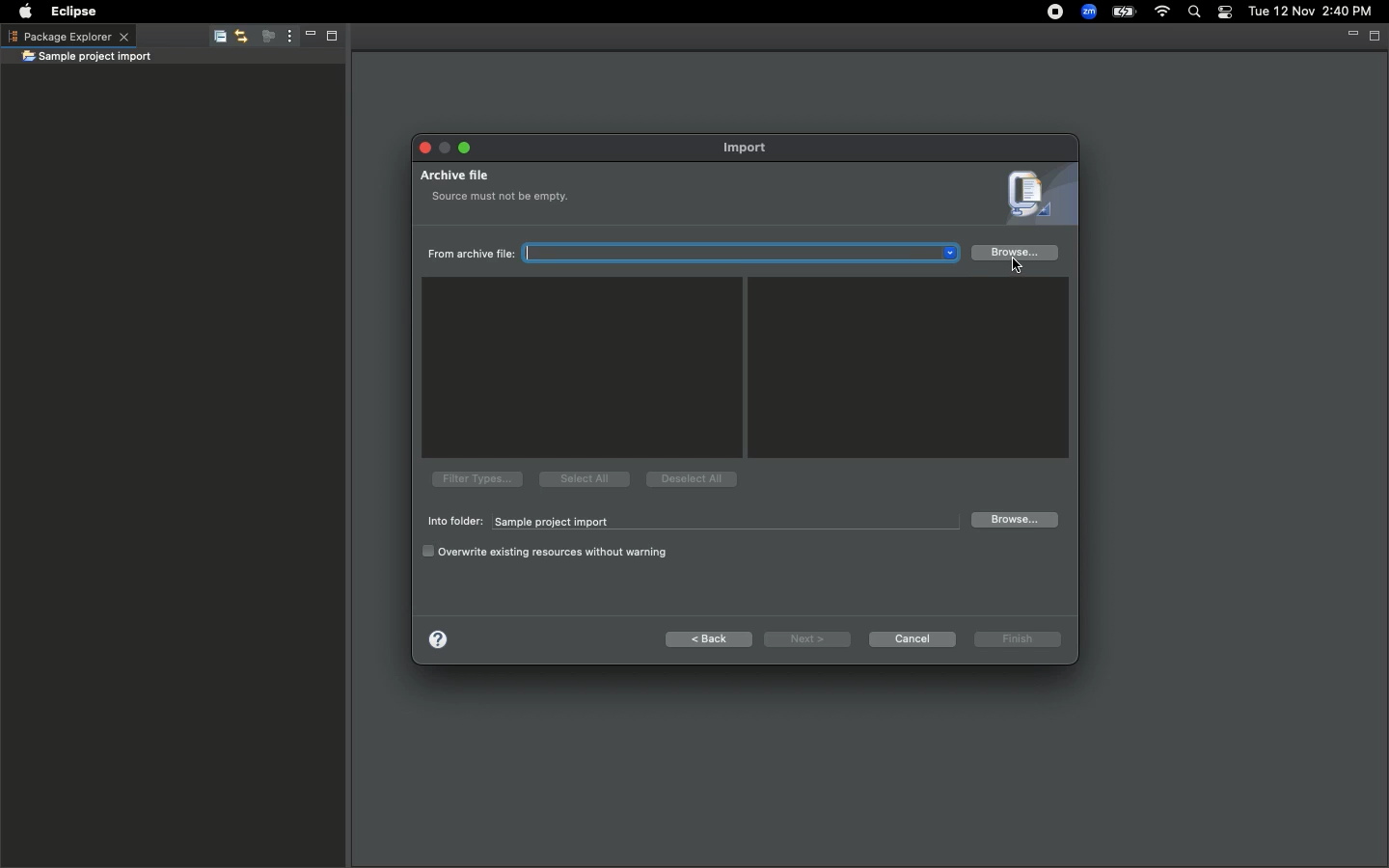 The width and height of the screenshot is (1389, 868). Describe the element at coordinates (494, 191) in the screenshot. I see `Archive file source must not be empty` at that location.